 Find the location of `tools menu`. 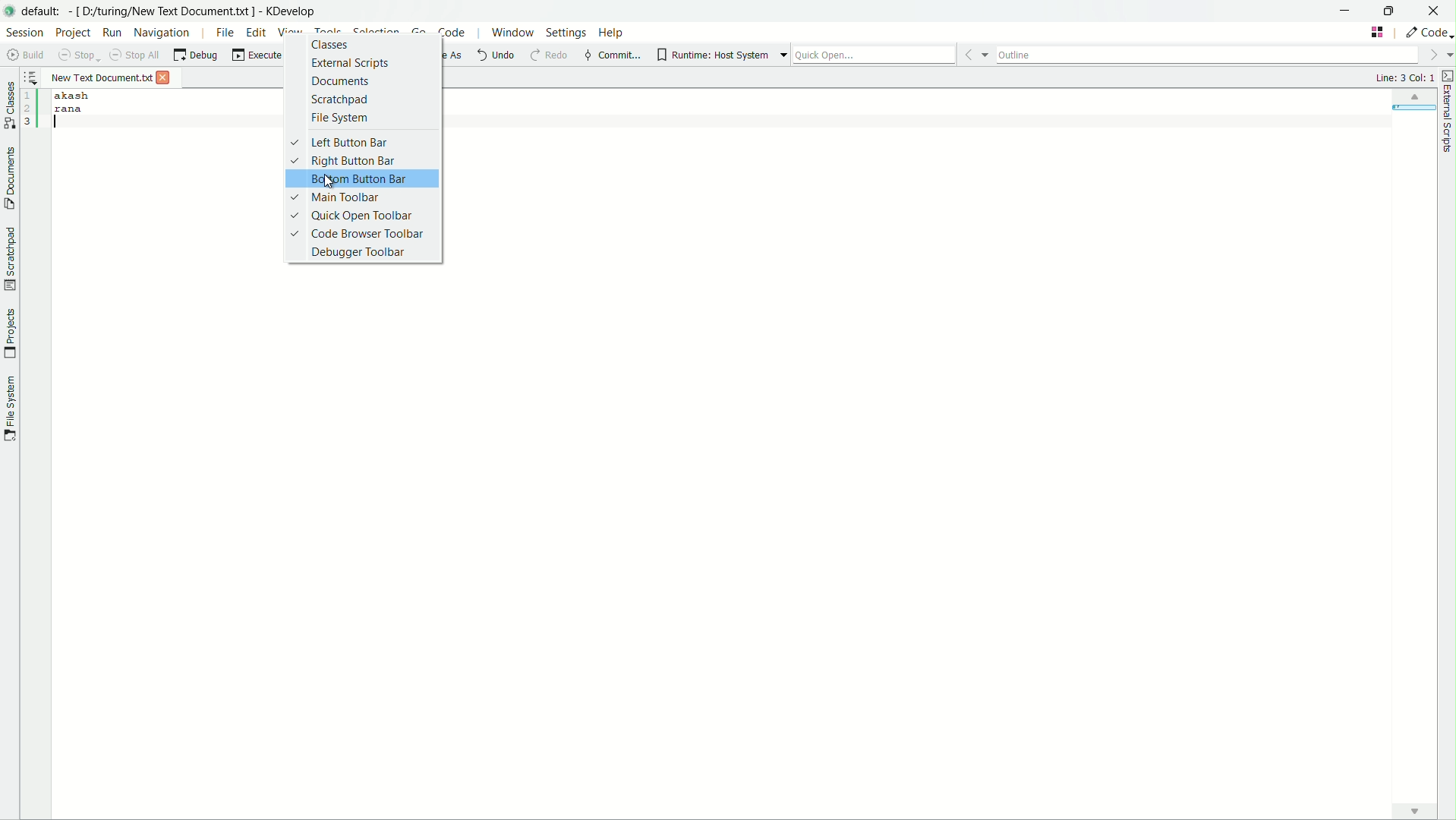

tools menu is located at coordinates (328, 32).